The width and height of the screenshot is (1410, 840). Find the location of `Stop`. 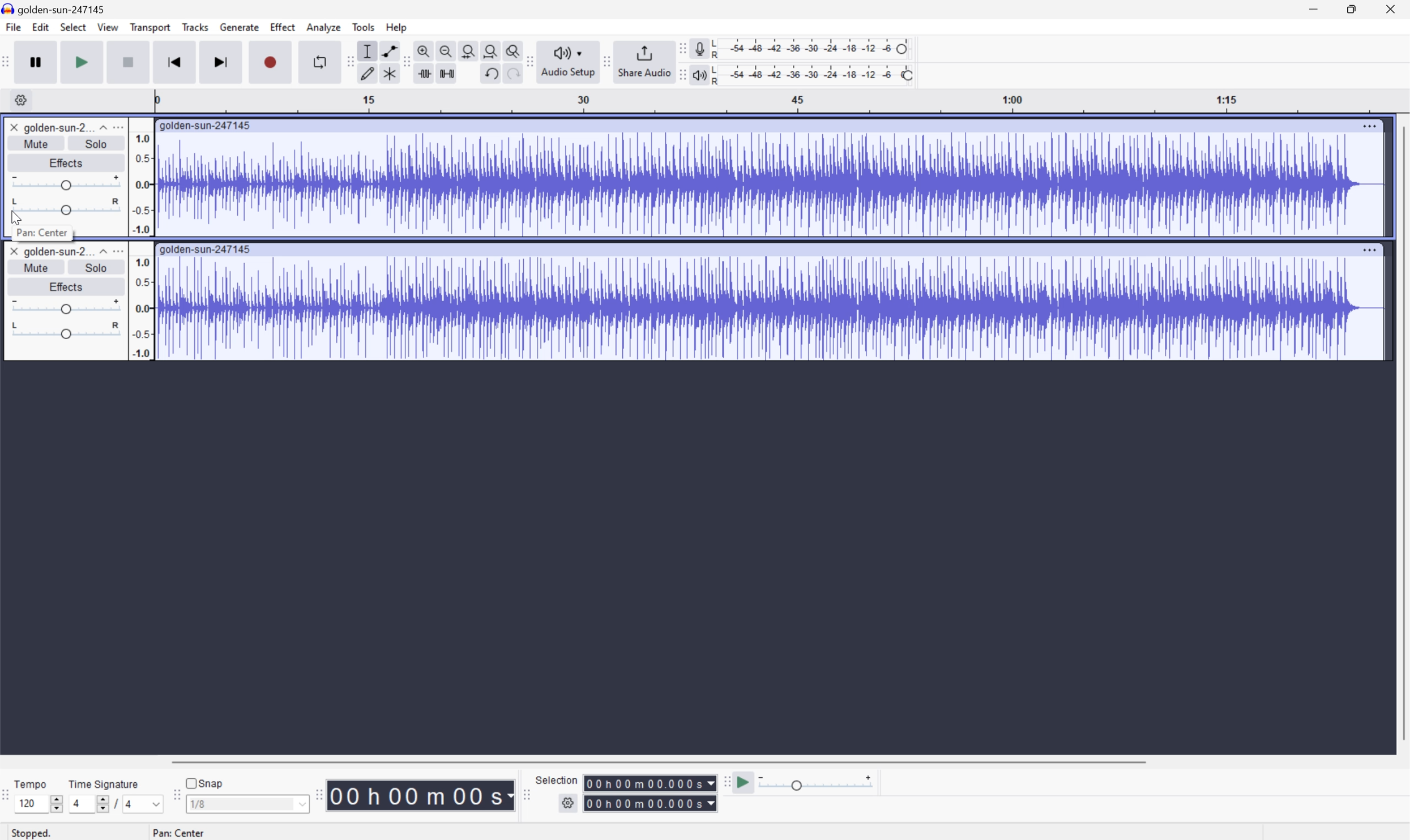

Stop is located at coordinates (128, 62).